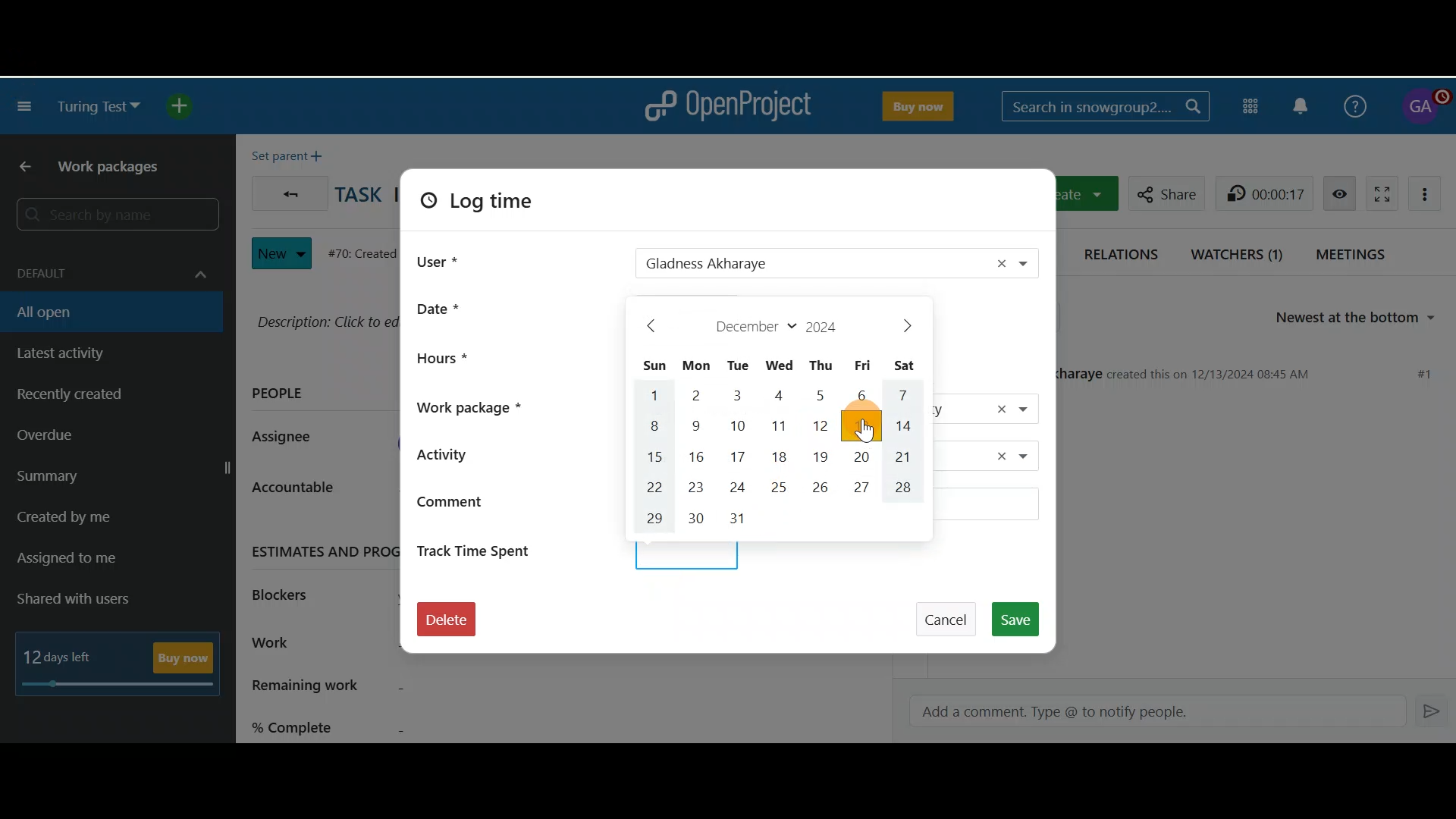 Image resolution: width=1456 pixels, height=819 pixels. What do you see at coordinates (101, 311) in the screenshot?
I see `All open` at bounding box center [101, 311].